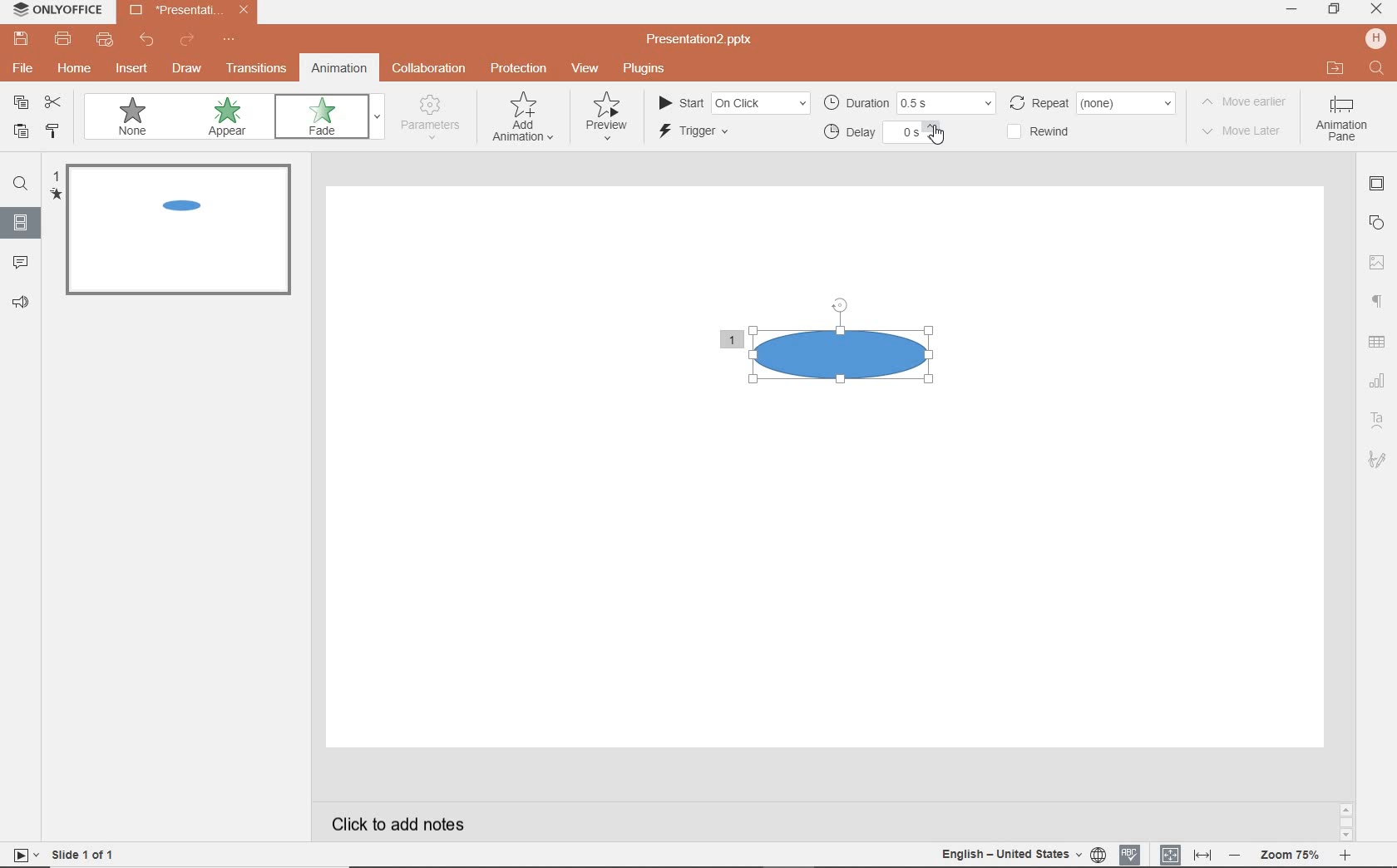 The width and height of the screenshot is (1397, 868). Describe the element at coordinates (22, 185) in the screenshot. I see `FIND` at that location.